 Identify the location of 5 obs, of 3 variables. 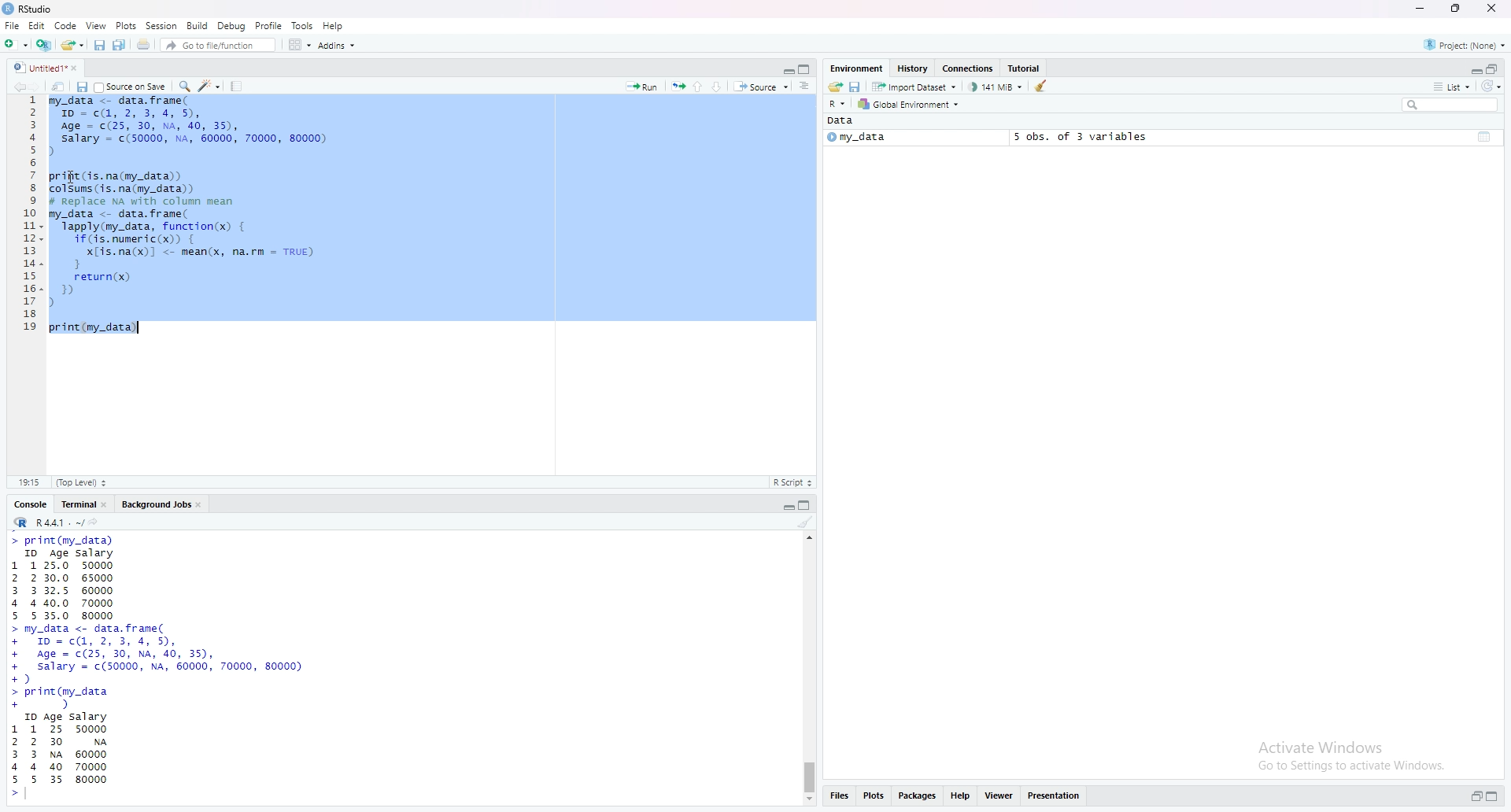
(1074, 136).